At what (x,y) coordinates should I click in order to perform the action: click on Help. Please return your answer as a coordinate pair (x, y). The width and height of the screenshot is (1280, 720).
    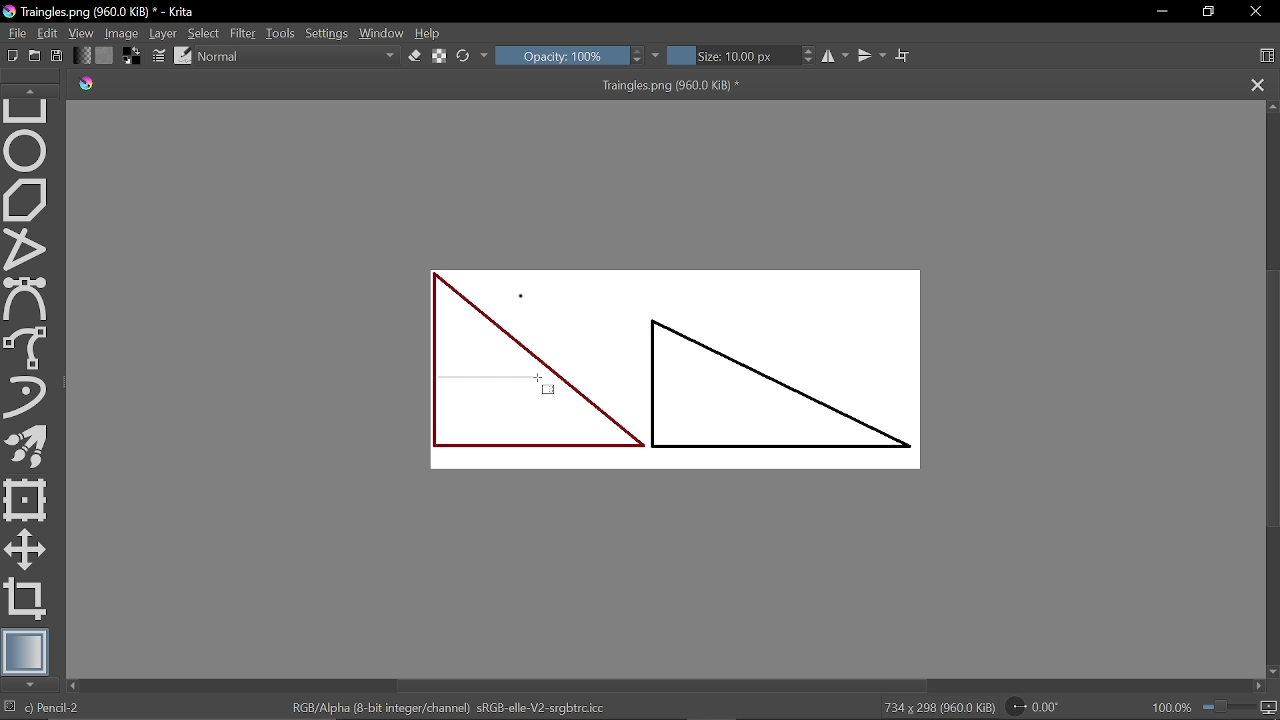
    Looking at the image, I should click on (433, 33).